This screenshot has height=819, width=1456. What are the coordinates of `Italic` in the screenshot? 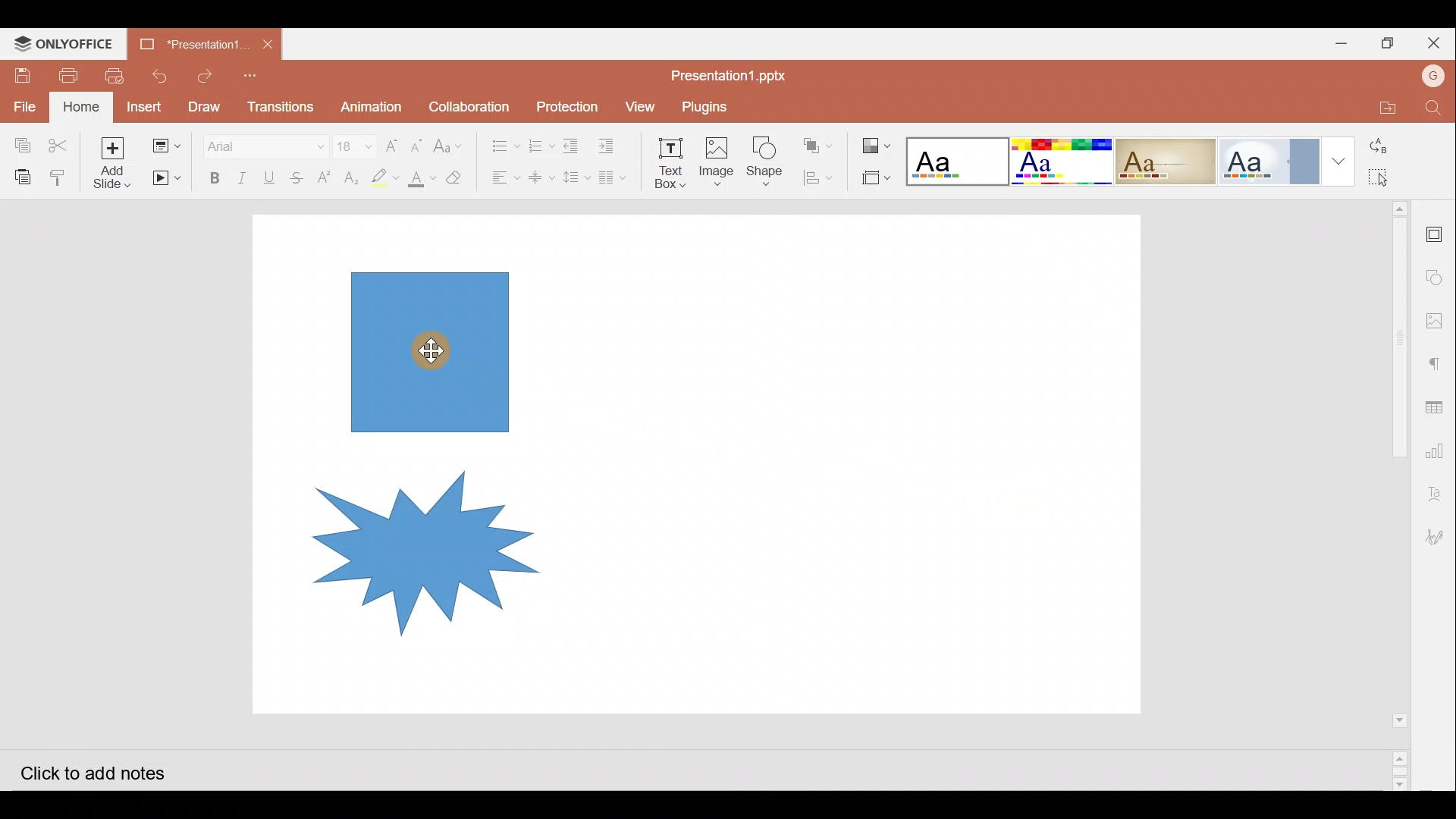 It's located at (242, 174).